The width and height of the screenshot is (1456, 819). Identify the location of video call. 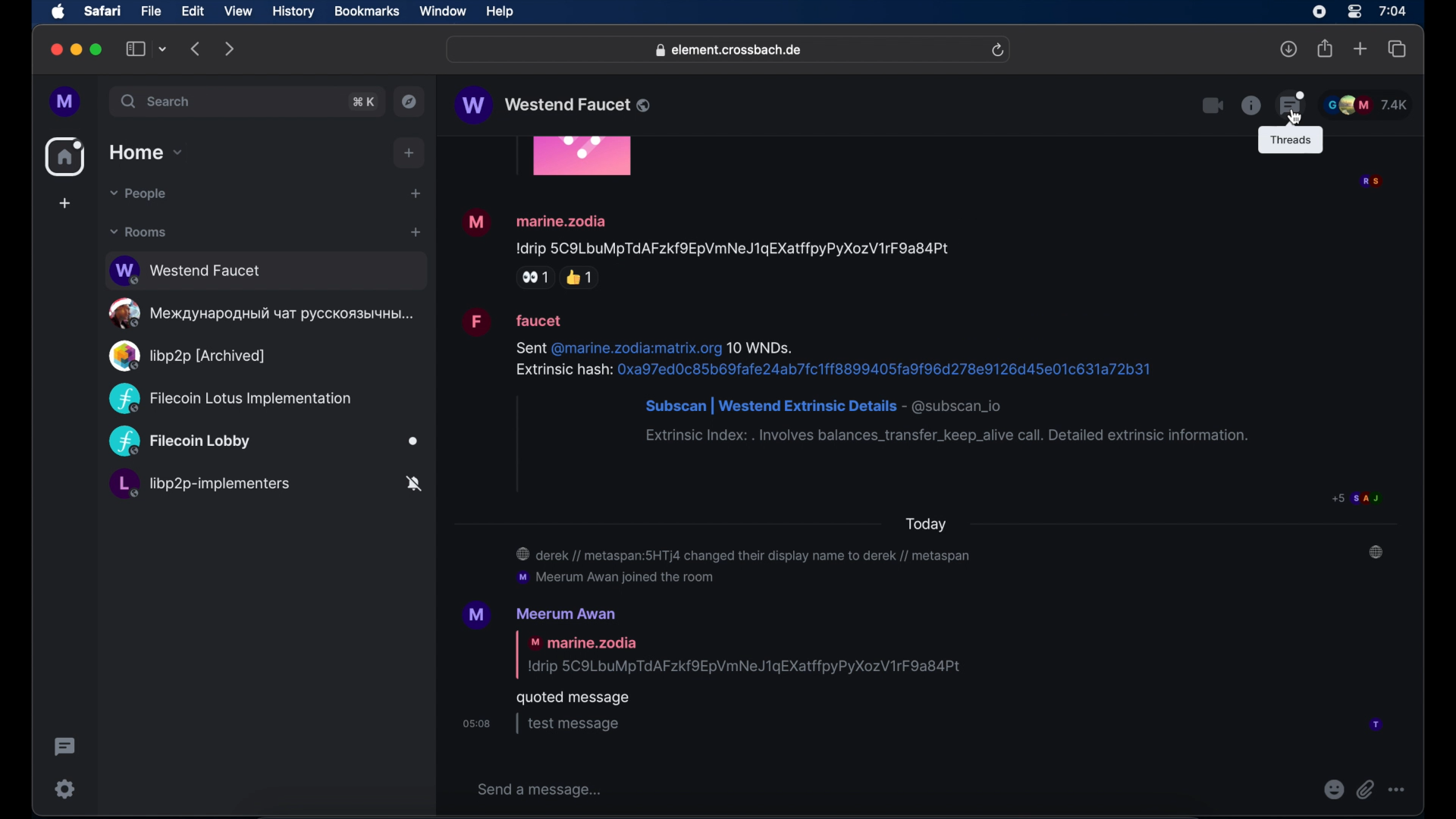
(1213, 106).